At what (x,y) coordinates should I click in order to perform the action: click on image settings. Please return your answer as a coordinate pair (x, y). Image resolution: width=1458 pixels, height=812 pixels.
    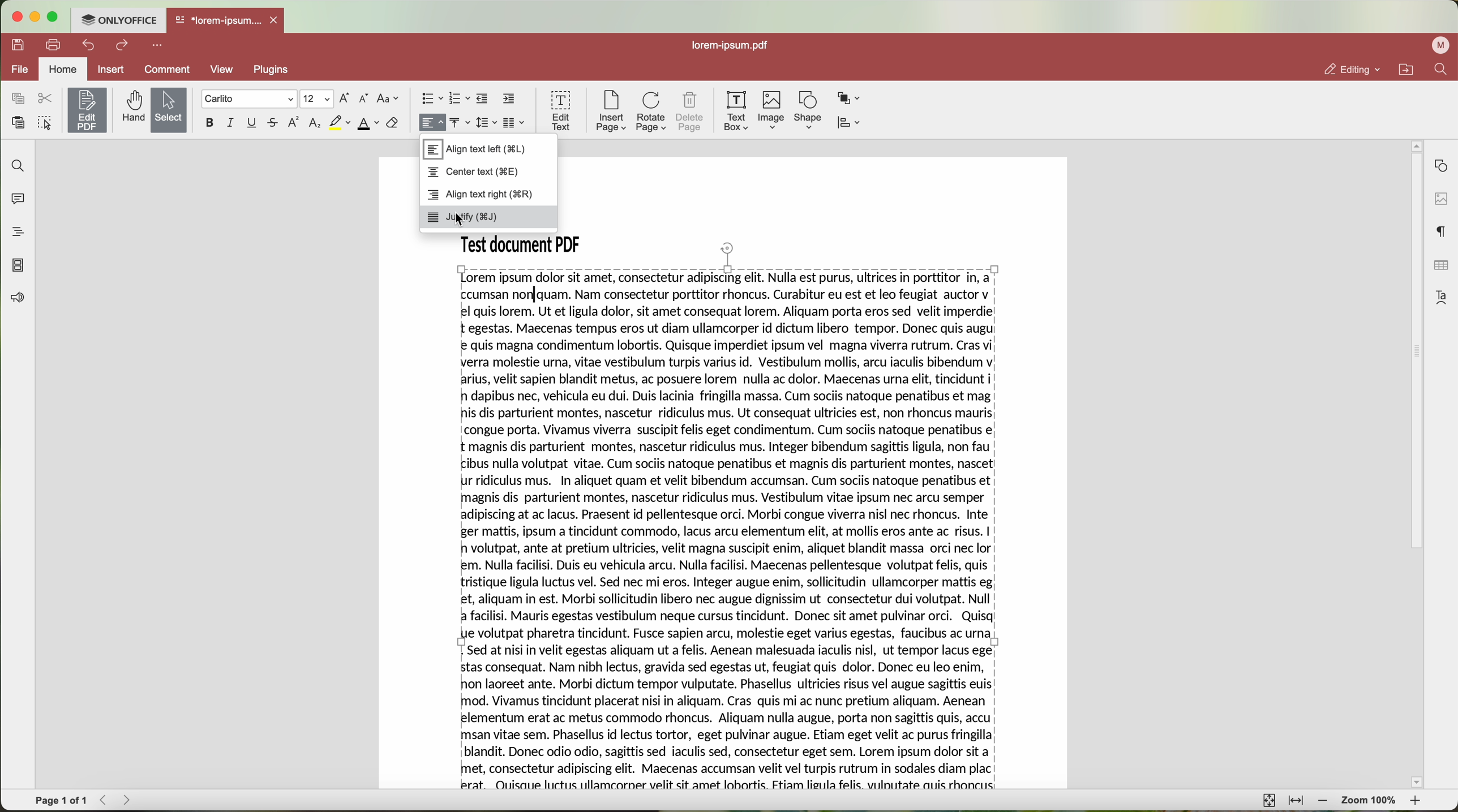
    Looking at the image, I should click on (1440, 199).